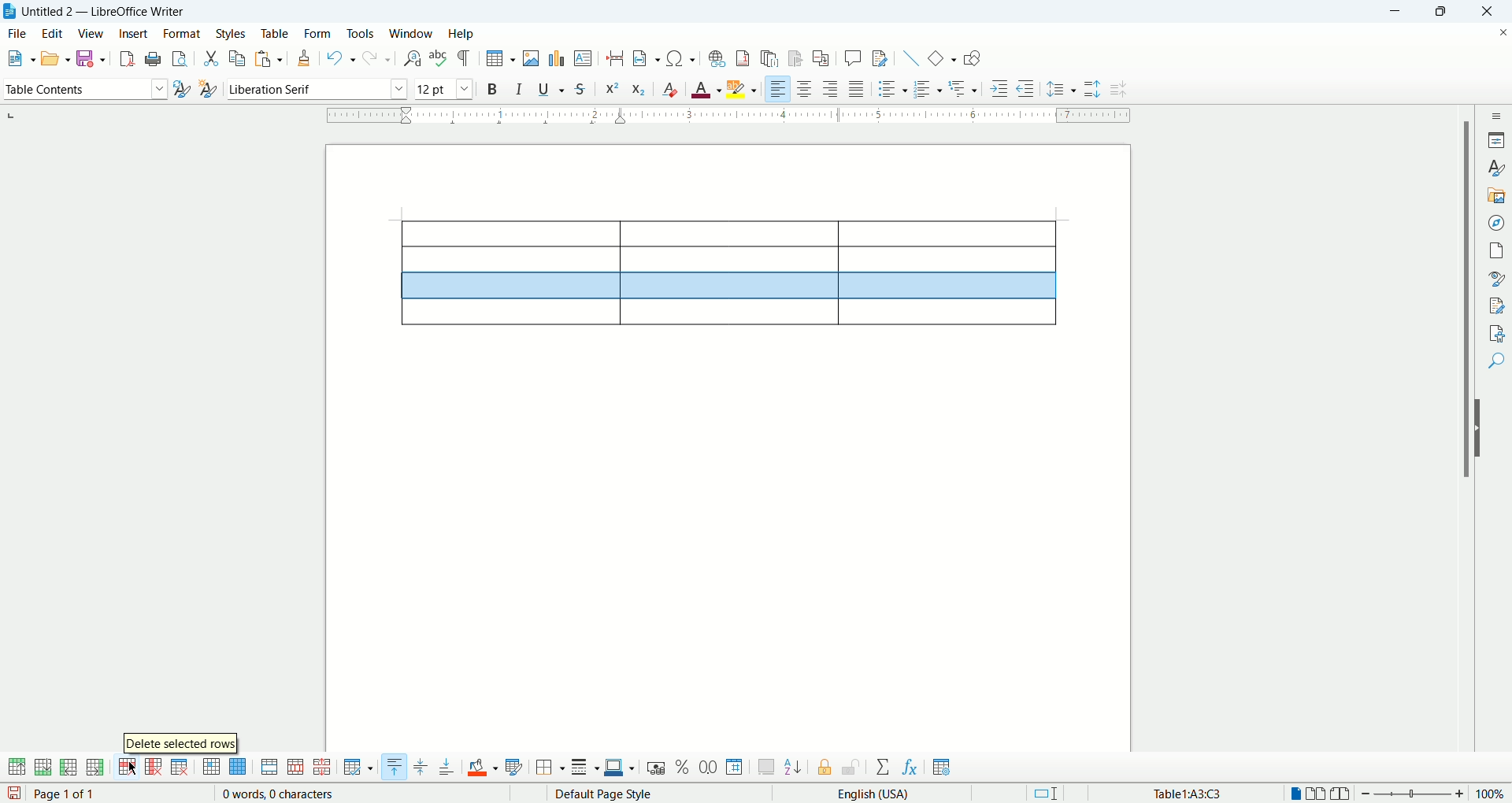  I want to click on insert cross reference, so click(820, 59).